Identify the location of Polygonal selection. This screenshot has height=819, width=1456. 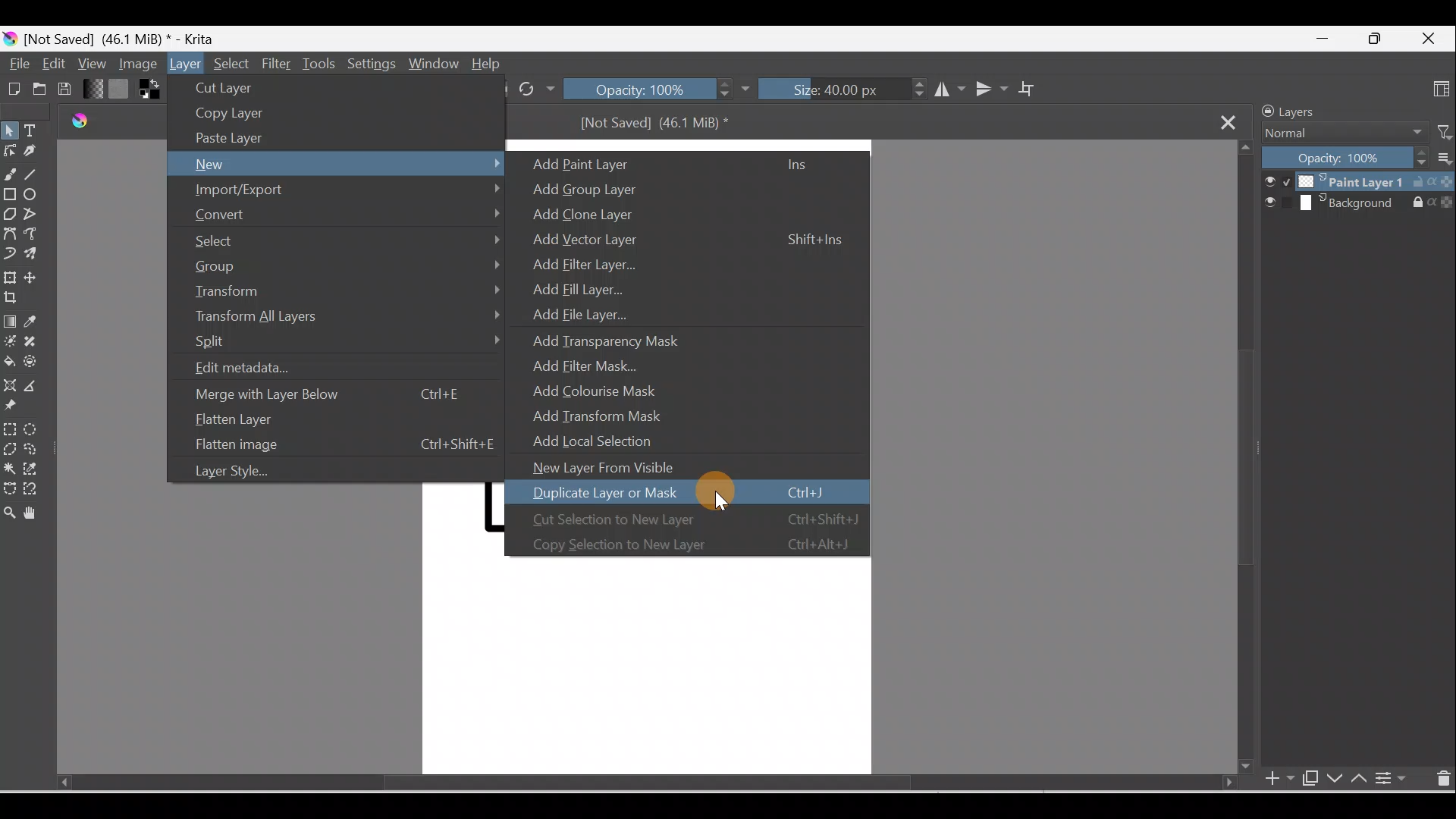
(9, 447).